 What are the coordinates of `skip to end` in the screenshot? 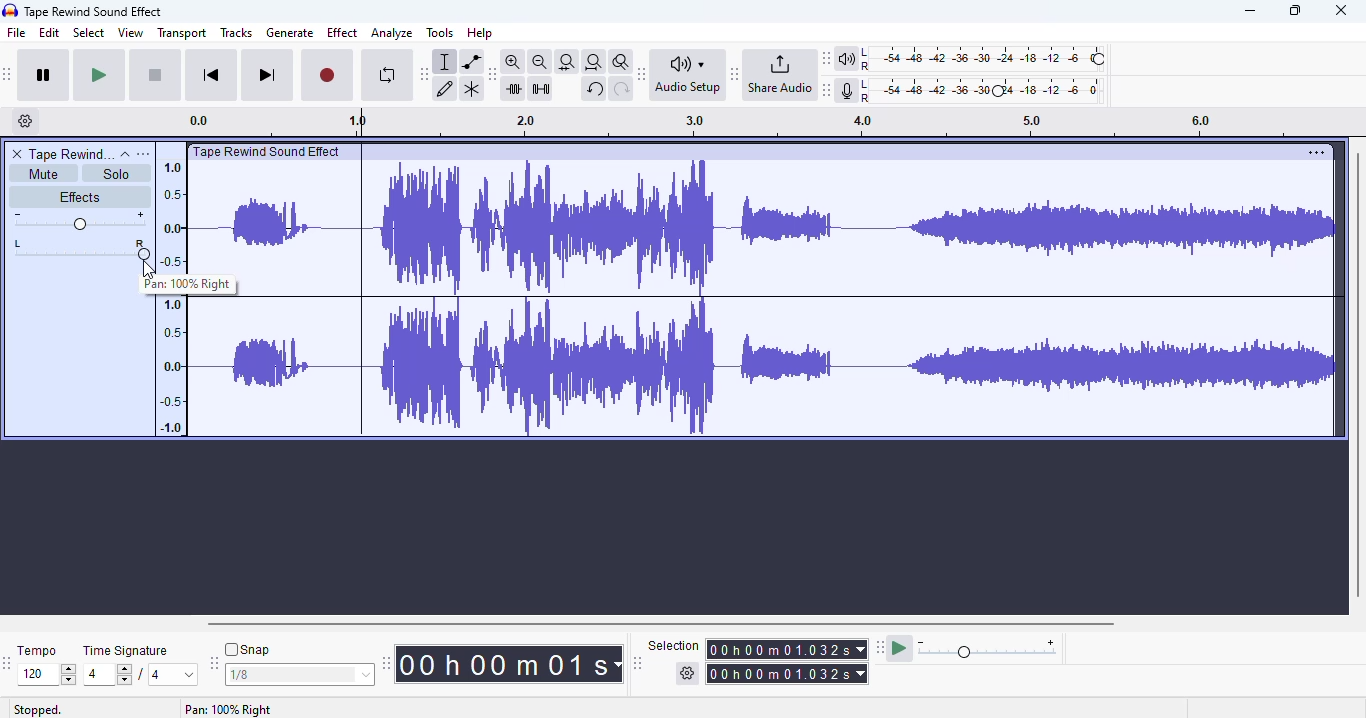 It's located at (266, 75).